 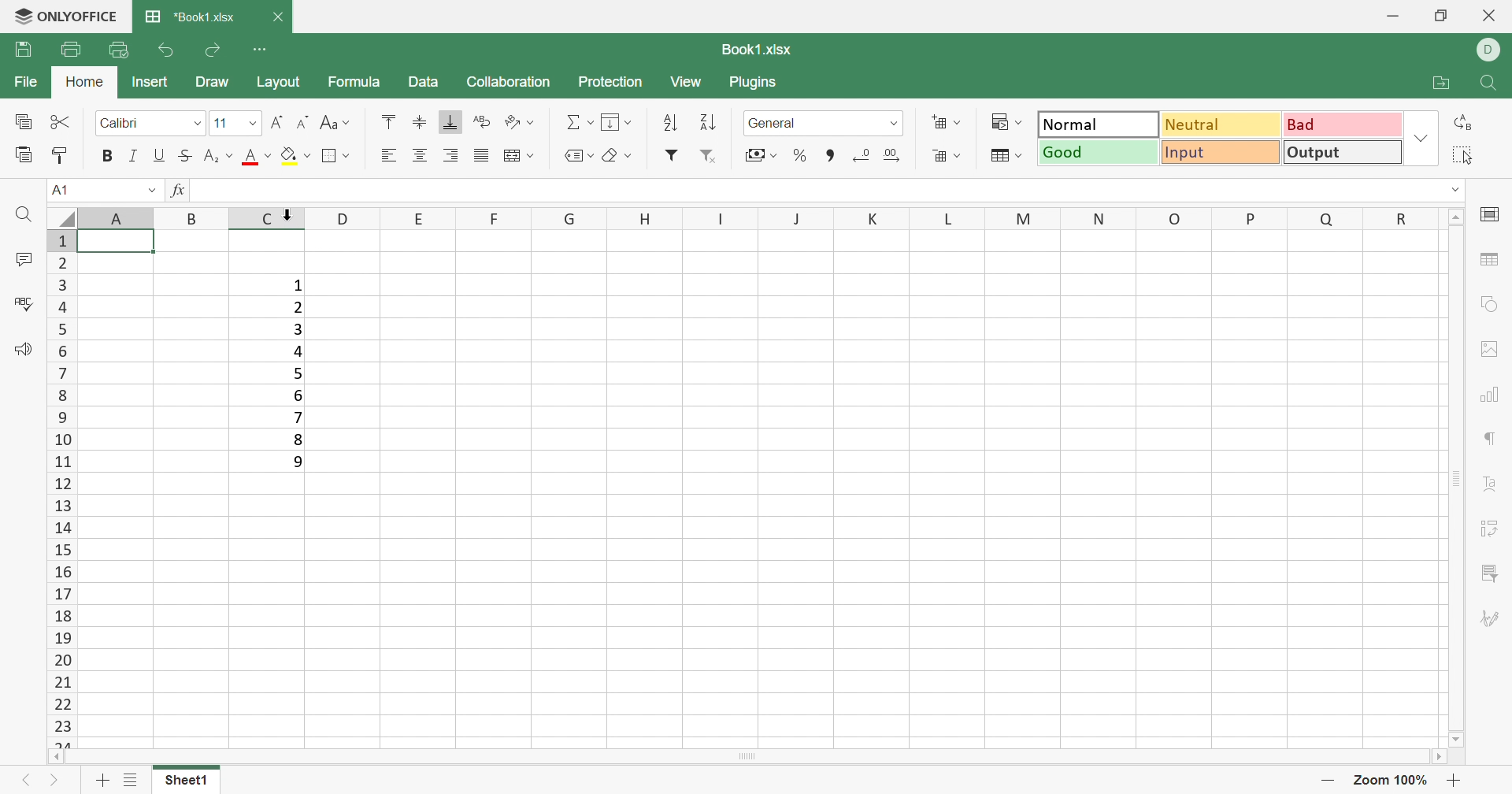 What do you see at coordinates (1461, 157) in the screenshot?
I see `Select all` at bounding box center [1461, 157].